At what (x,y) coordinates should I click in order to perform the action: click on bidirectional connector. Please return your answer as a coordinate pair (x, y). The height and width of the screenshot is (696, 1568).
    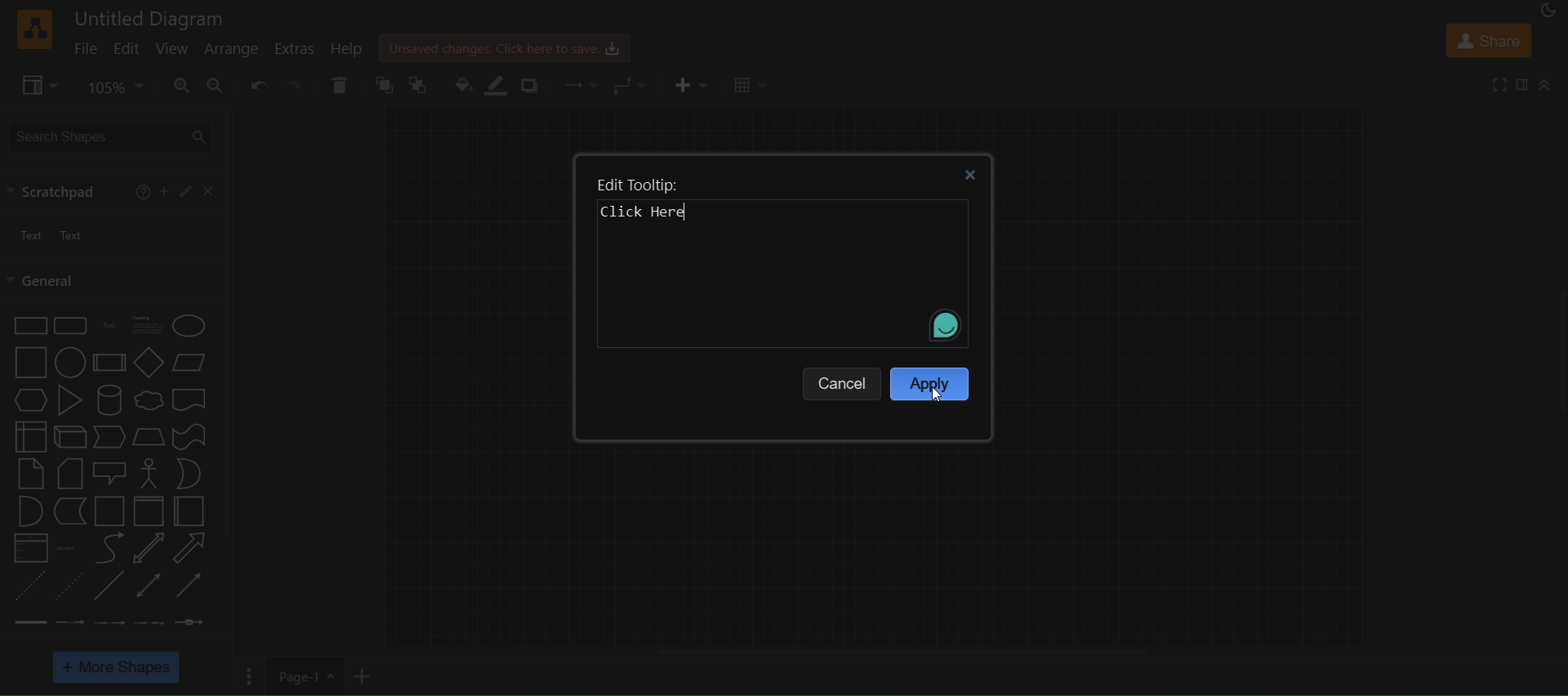
    Looking at the image, I should click on (149, 584).